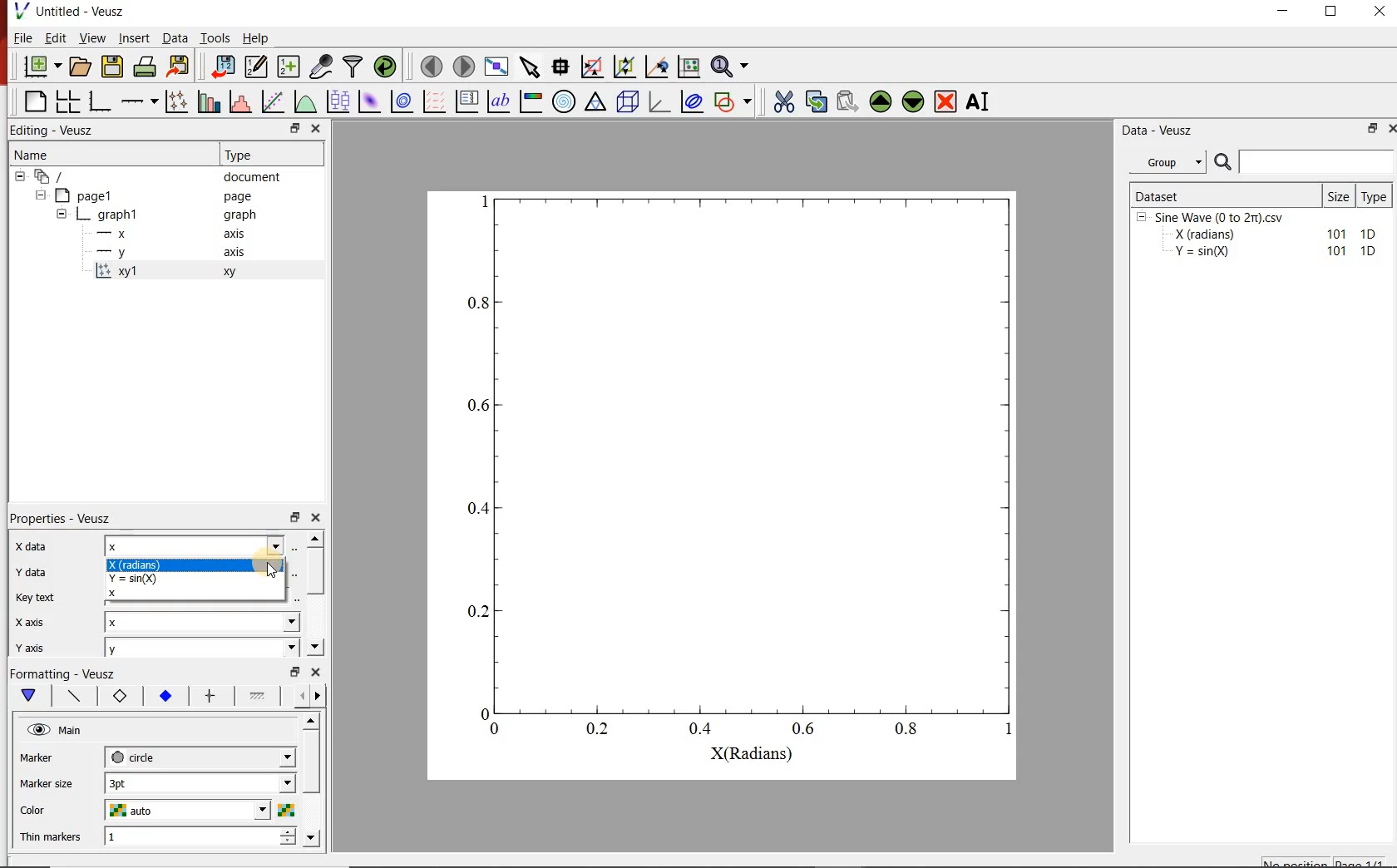  Describe the element at coordinates (200, 782) in the screenshot. I see `3 pt` at that location.